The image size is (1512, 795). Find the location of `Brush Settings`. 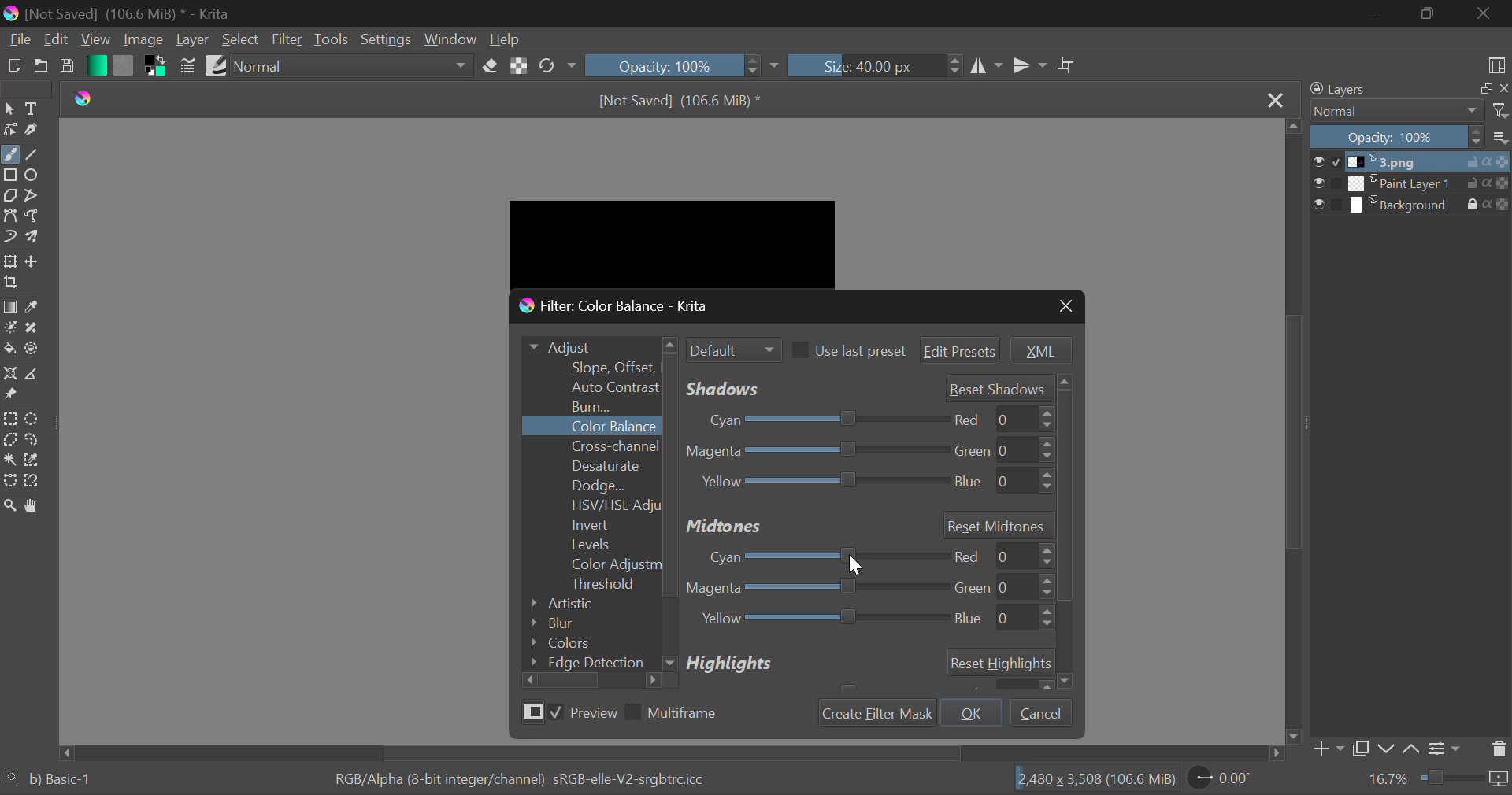

Brush Settings is located at coordinates (188, 65).